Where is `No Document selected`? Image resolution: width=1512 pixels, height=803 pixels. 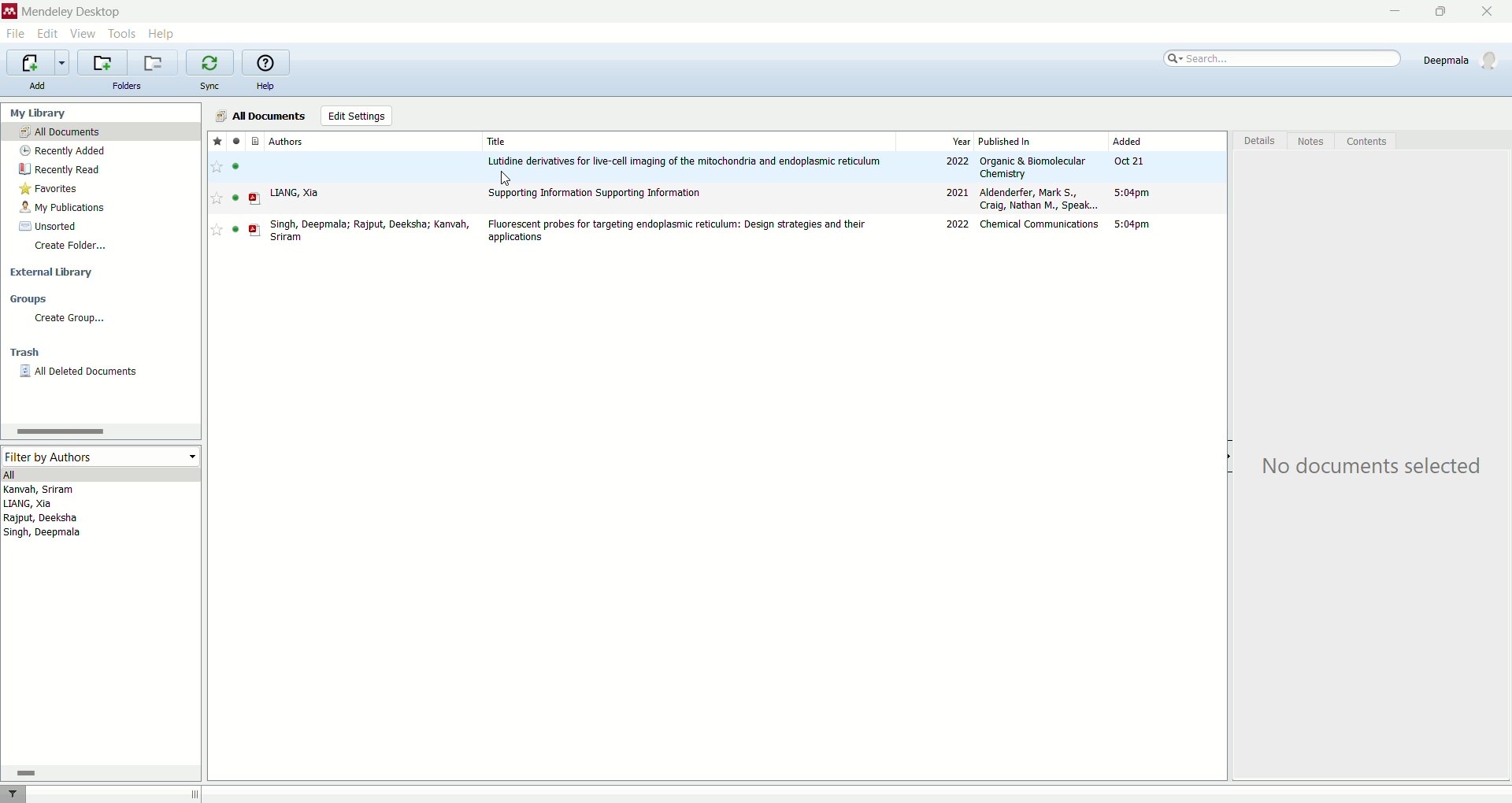 No Document selected is located at coordinates (1376, 468).